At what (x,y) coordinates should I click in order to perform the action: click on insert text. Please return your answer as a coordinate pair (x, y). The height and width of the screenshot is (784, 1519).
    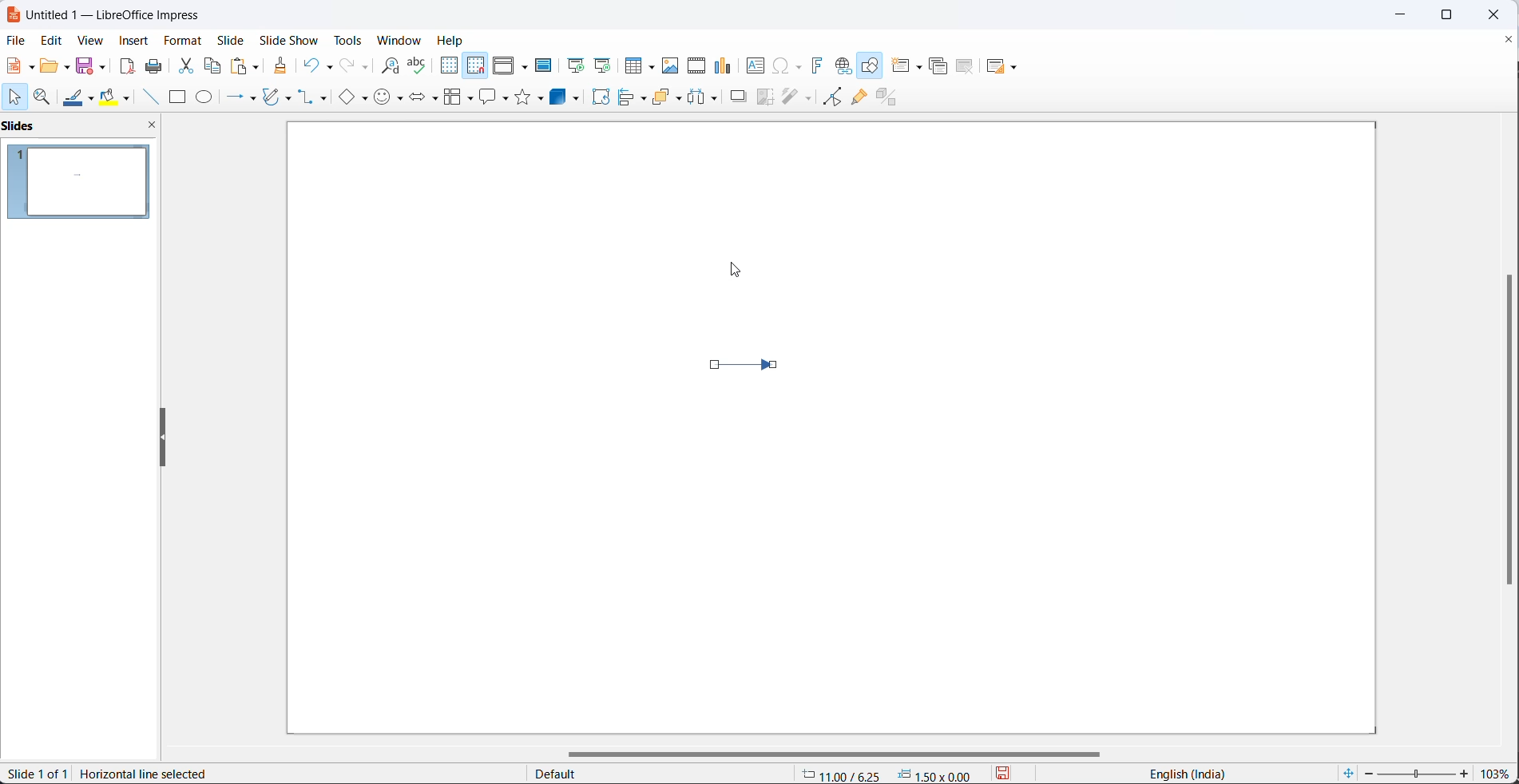
    Looking at the image, I should click on (752, 65).